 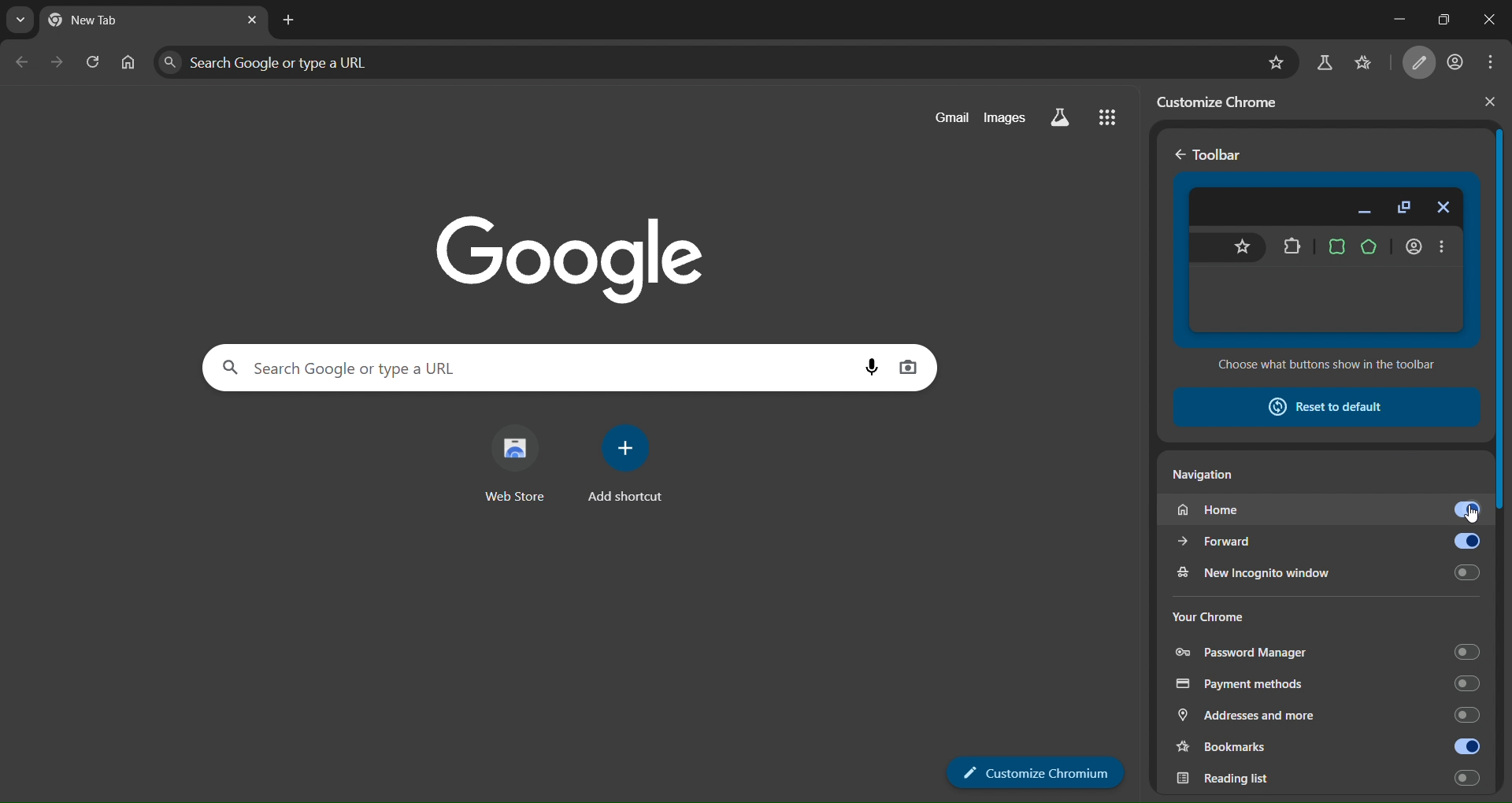 What do you see at coordinates (1210, 477) in the screenshot?
I see `Navigation` at bounding box center [1210, 477].